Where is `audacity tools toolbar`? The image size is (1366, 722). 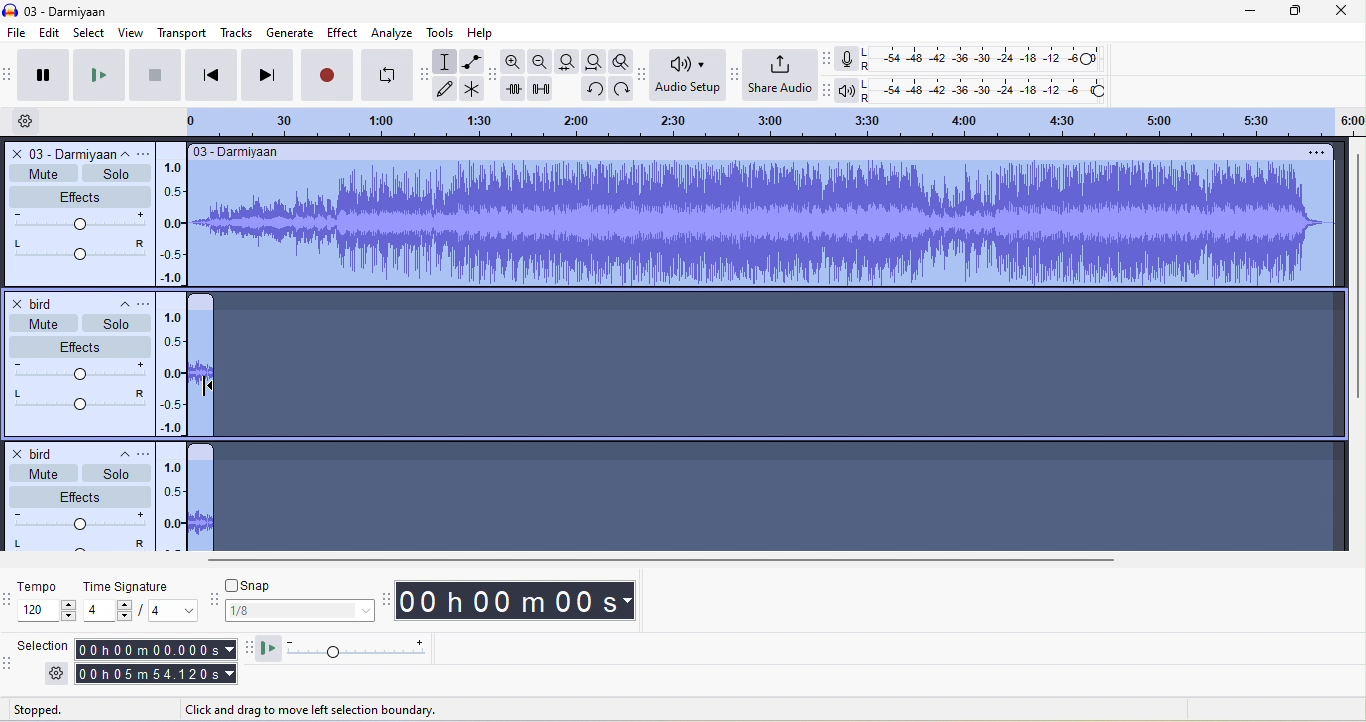
audacity tools toolbar is located at coordinates (426, 75).